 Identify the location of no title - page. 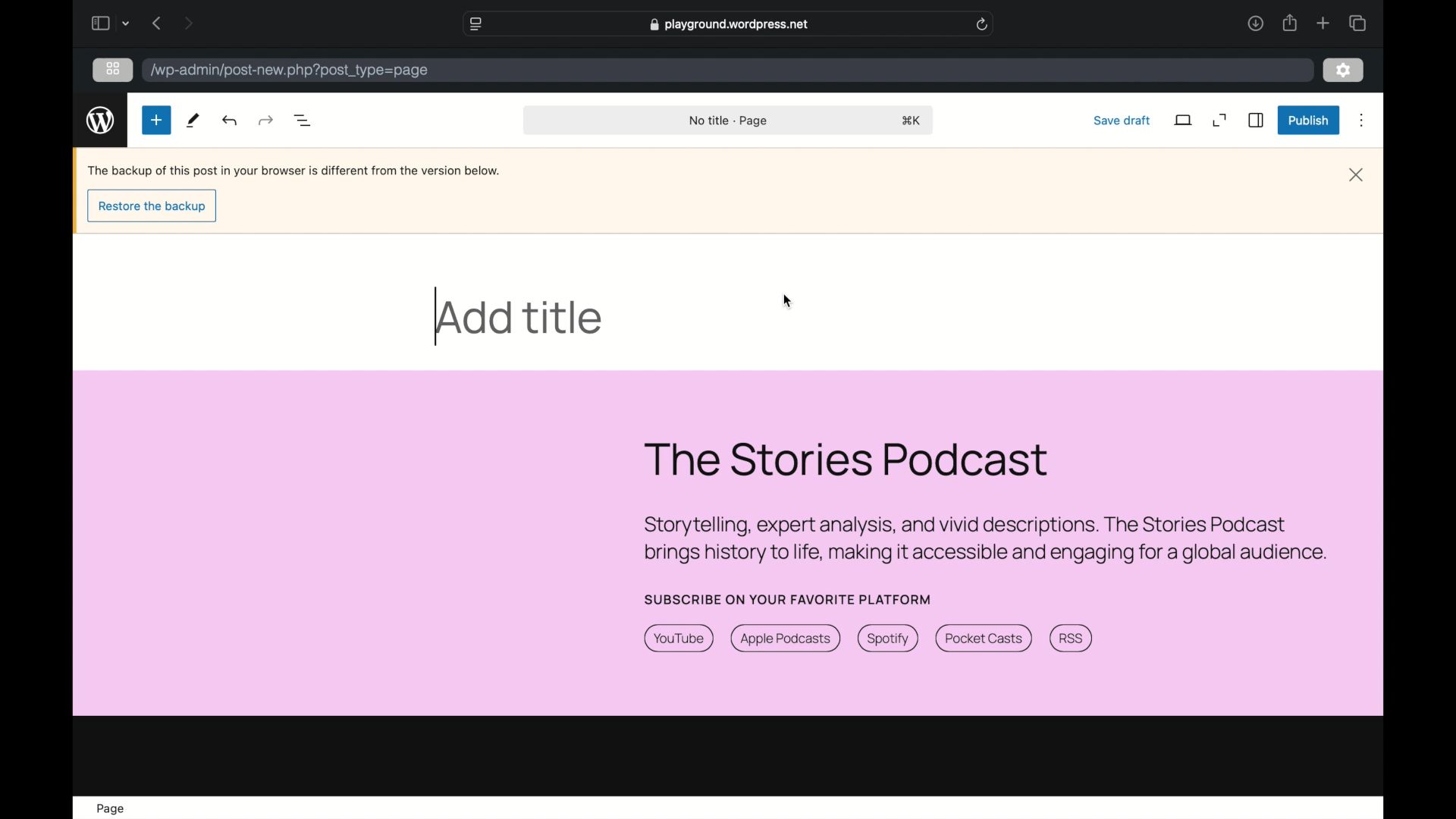
(732, 121).